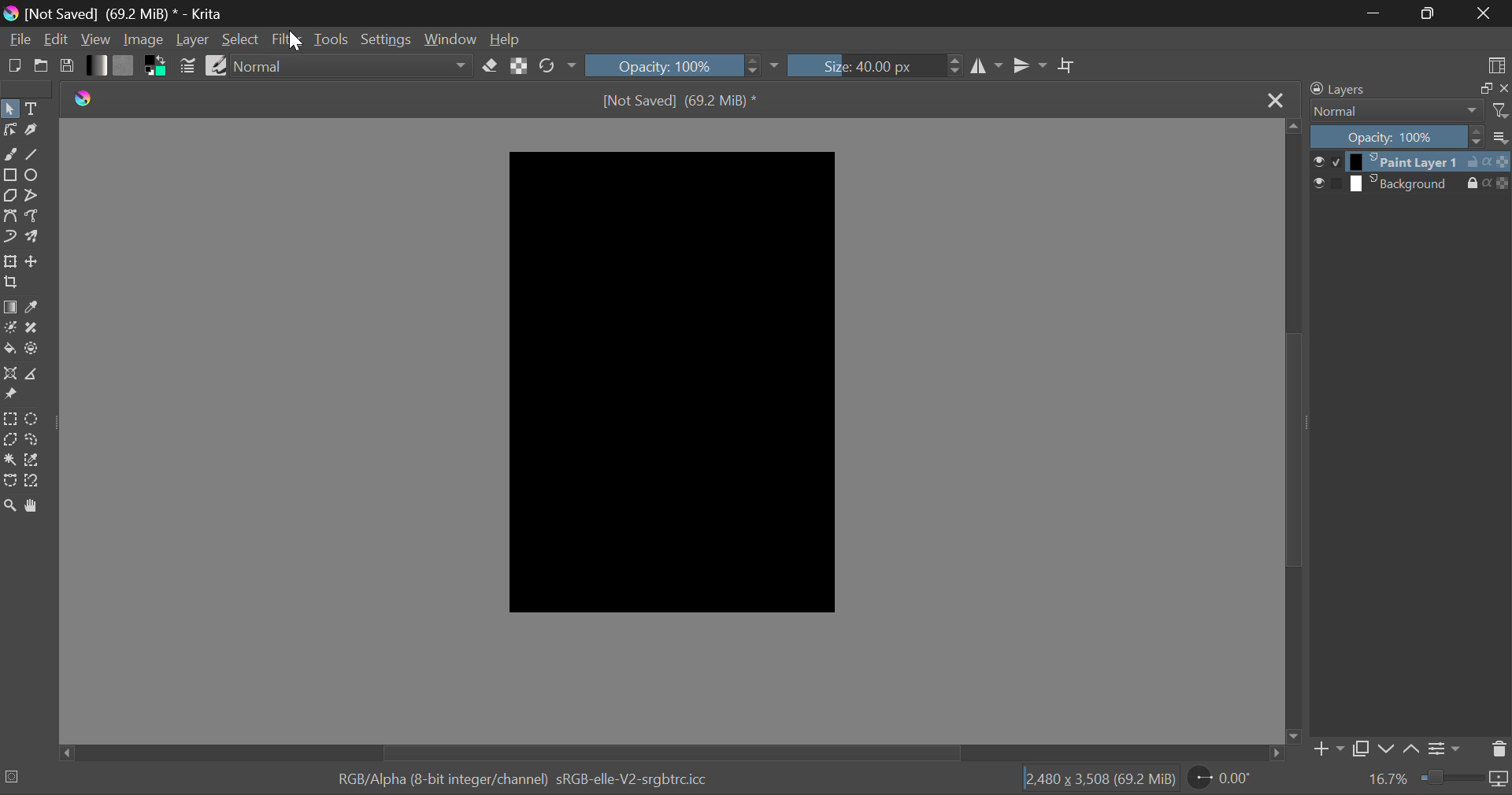 The image size is (1512, 795). What do you see at coordinates (34, 375) in the screenshot?
I see `Measurement` at bounding box center [34, 375].